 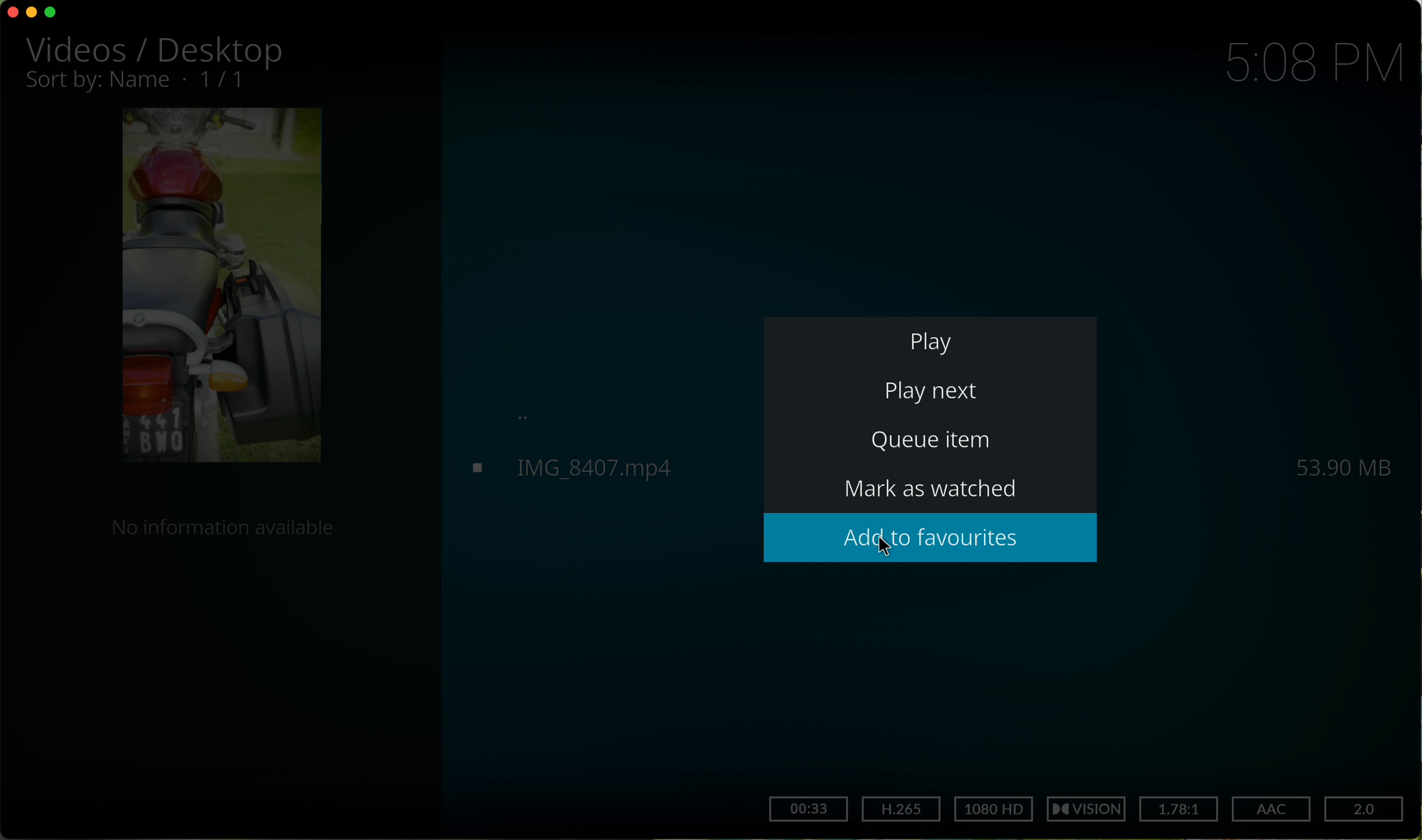 What do you see at coordinates (1366, 810) in the screenshot?
I see `2.0` at bounding box center [1366, 810].